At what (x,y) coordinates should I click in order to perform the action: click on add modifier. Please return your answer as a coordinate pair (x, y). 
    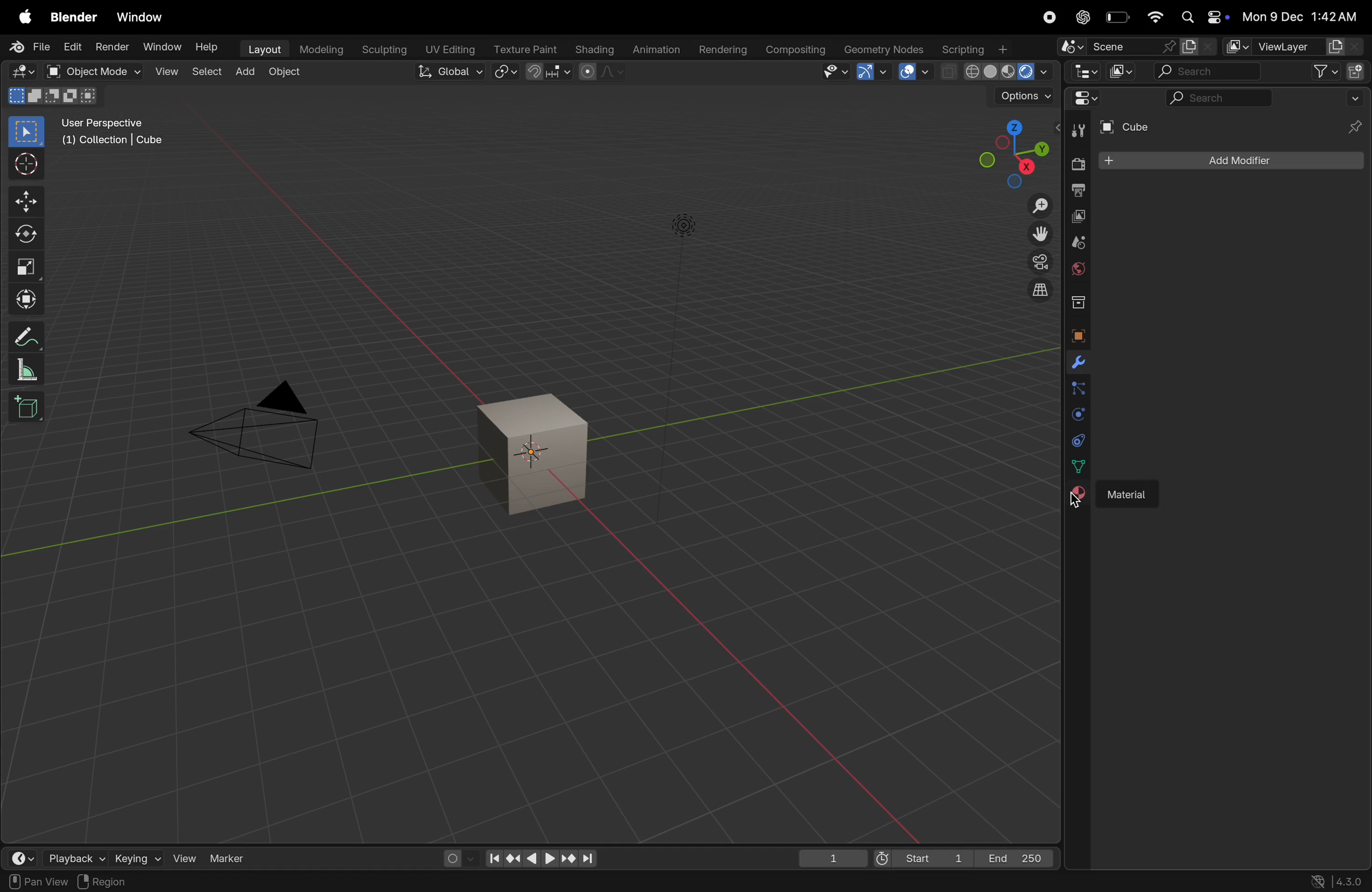
    Looking at the image, I should click on (1232, 161).